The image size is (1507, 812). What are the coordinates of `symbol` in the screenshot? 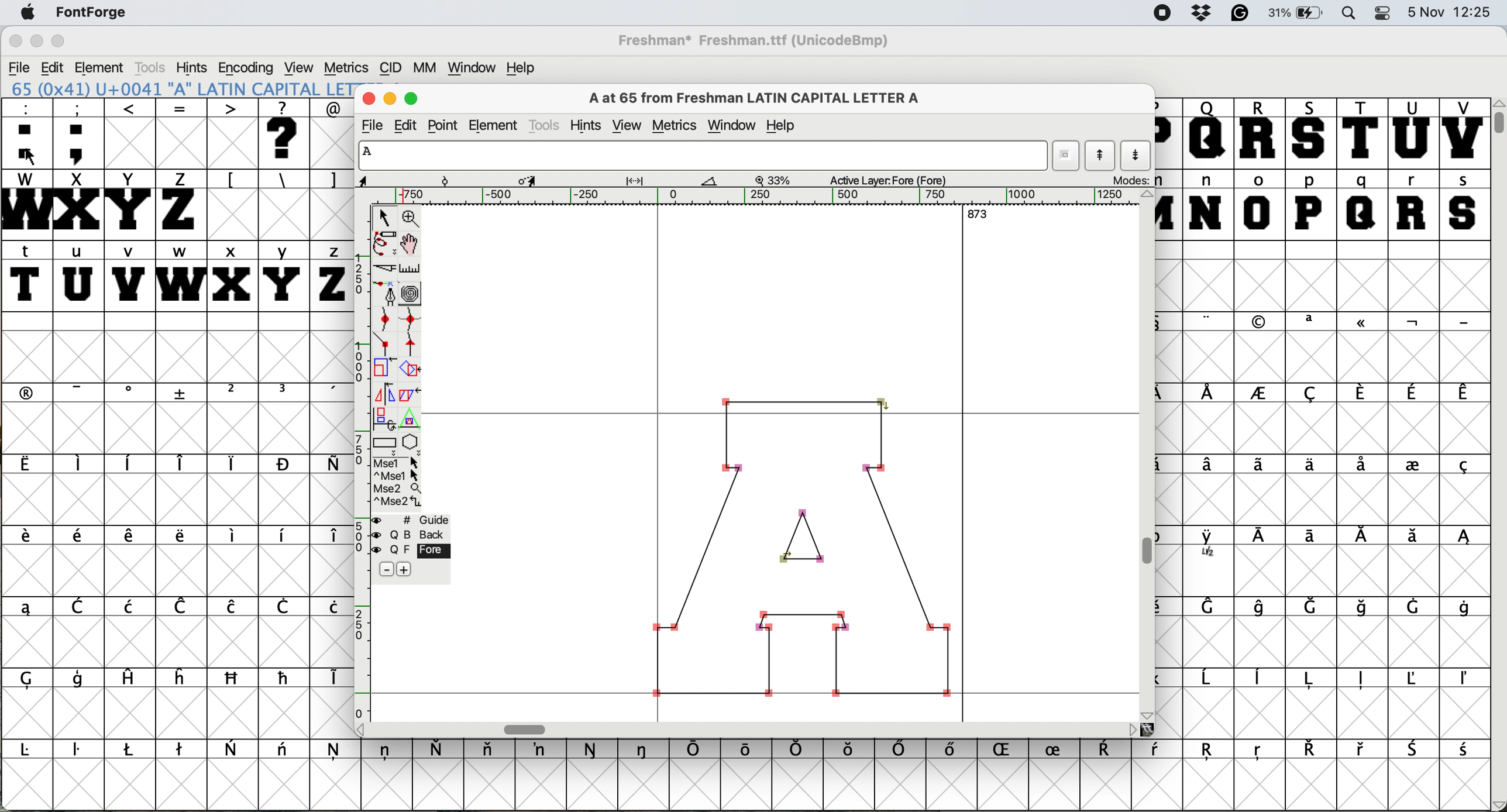 It's located at (35, 679).